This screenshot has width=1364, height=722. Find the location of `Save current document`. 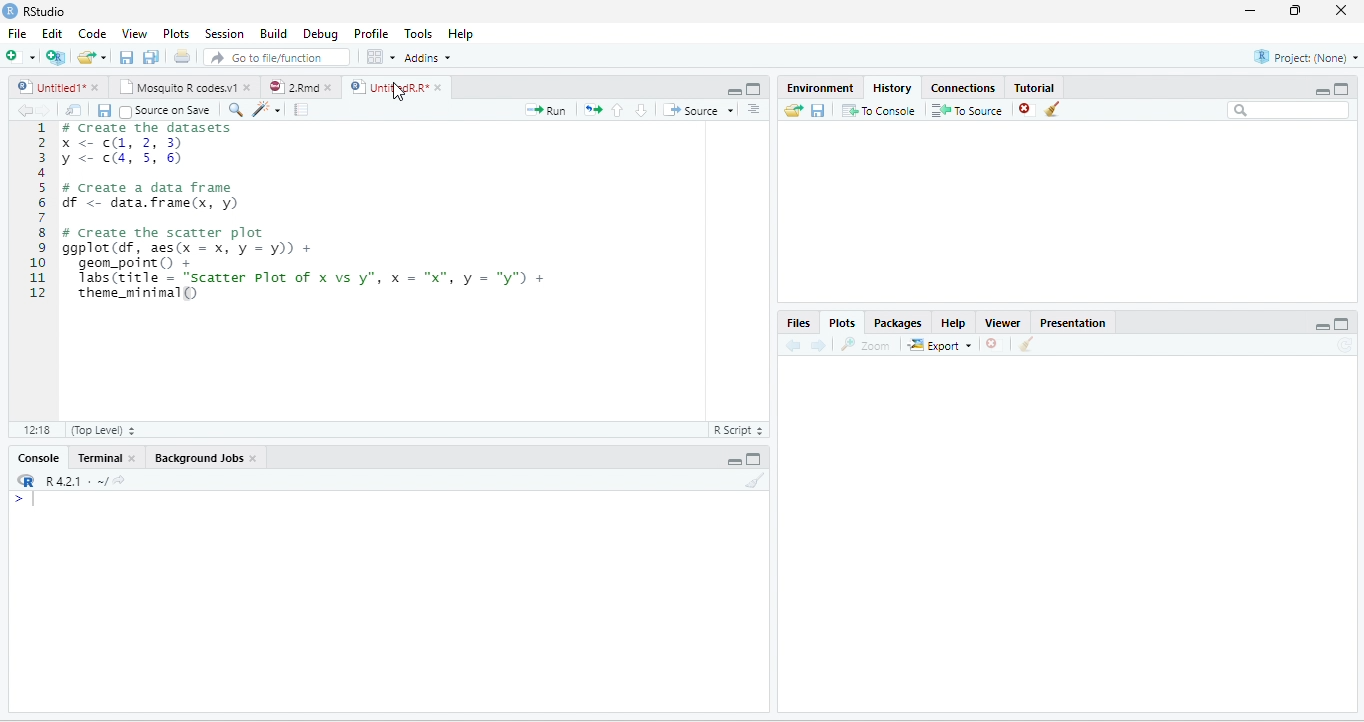

Save current document is located at coordinates (127, 56).